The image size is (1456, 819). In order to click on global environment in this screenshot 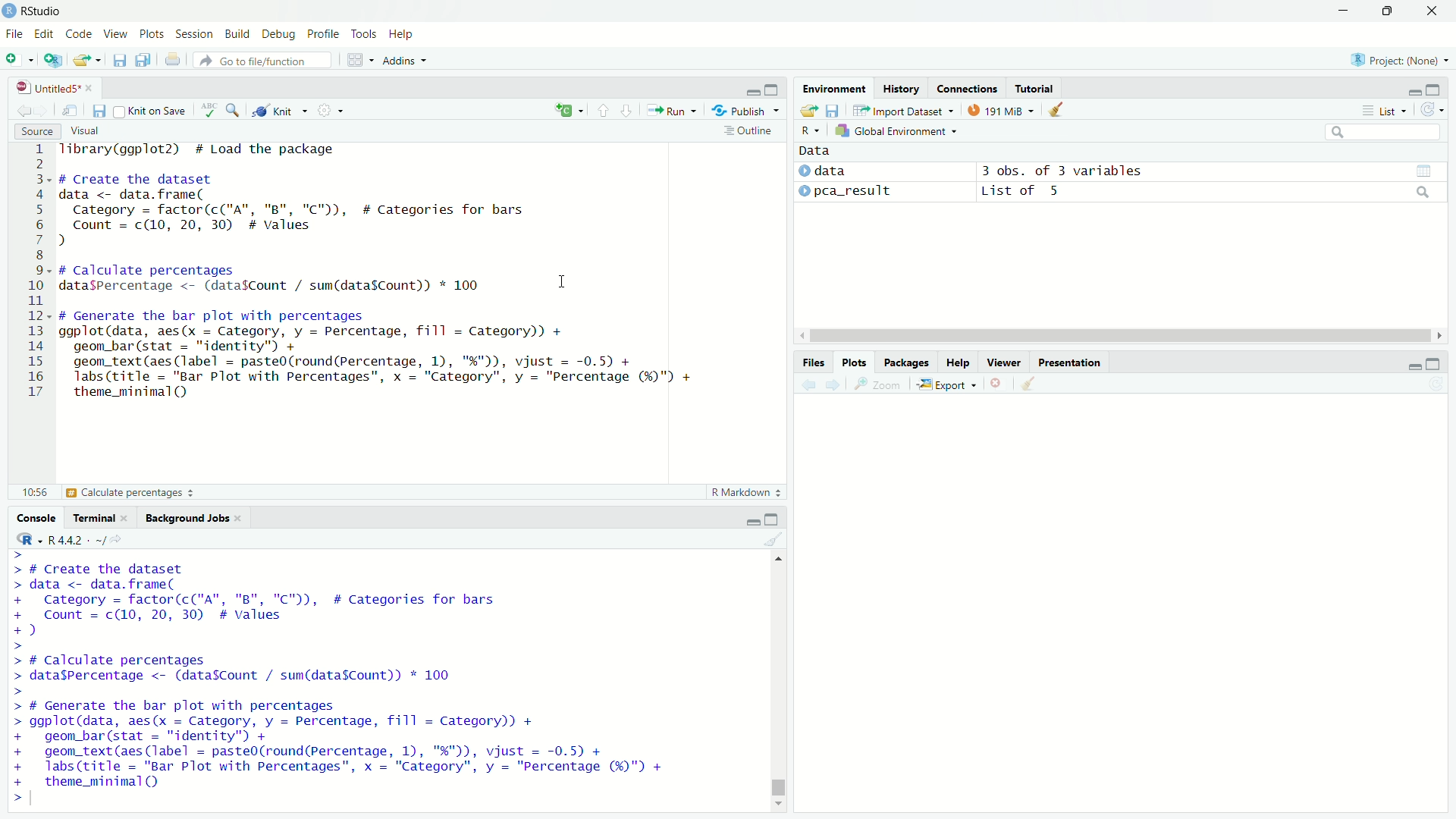, I will do `click(897, 130)`.